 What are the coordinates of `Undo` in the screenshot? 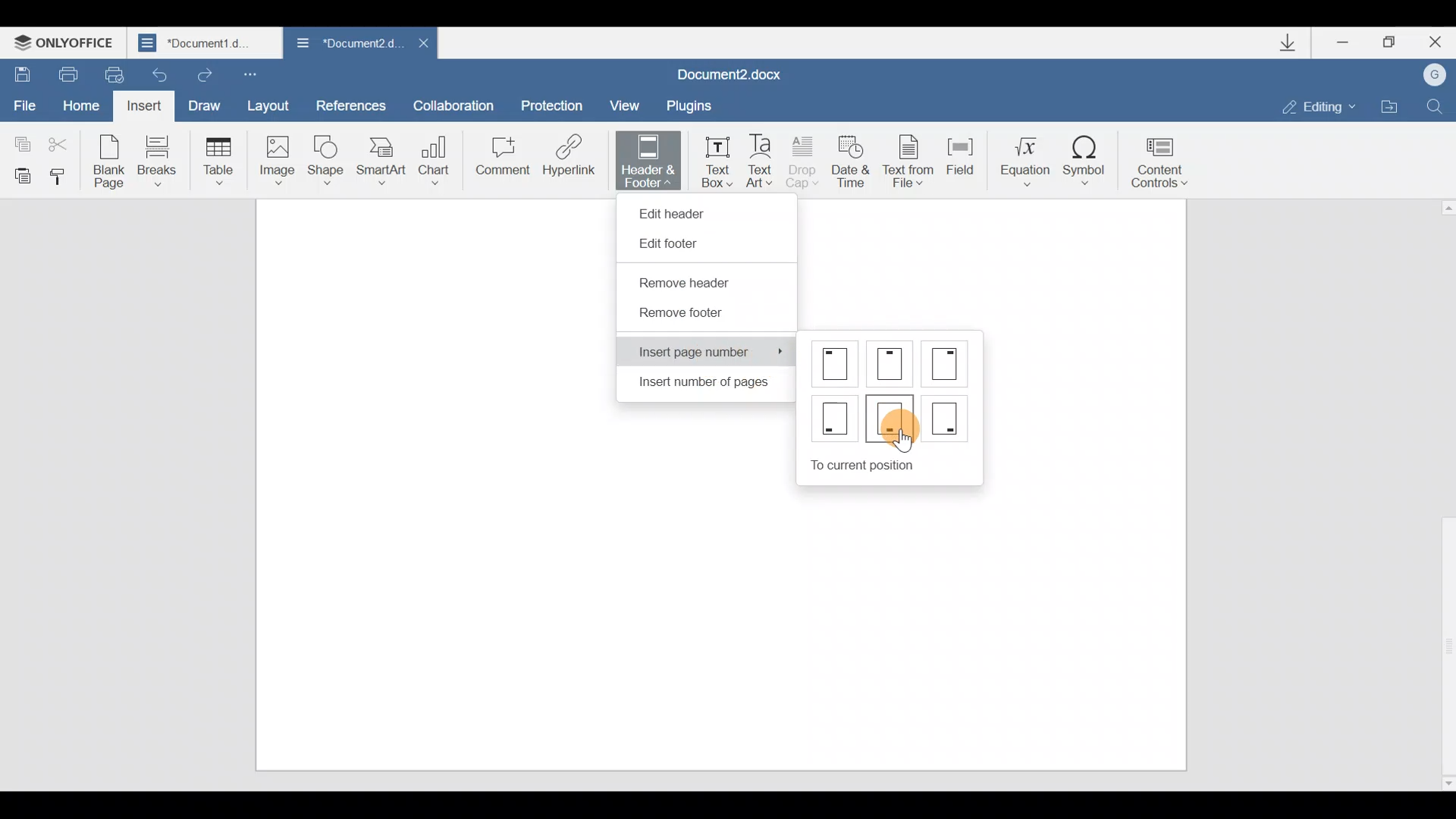 It's located at (161, 74).